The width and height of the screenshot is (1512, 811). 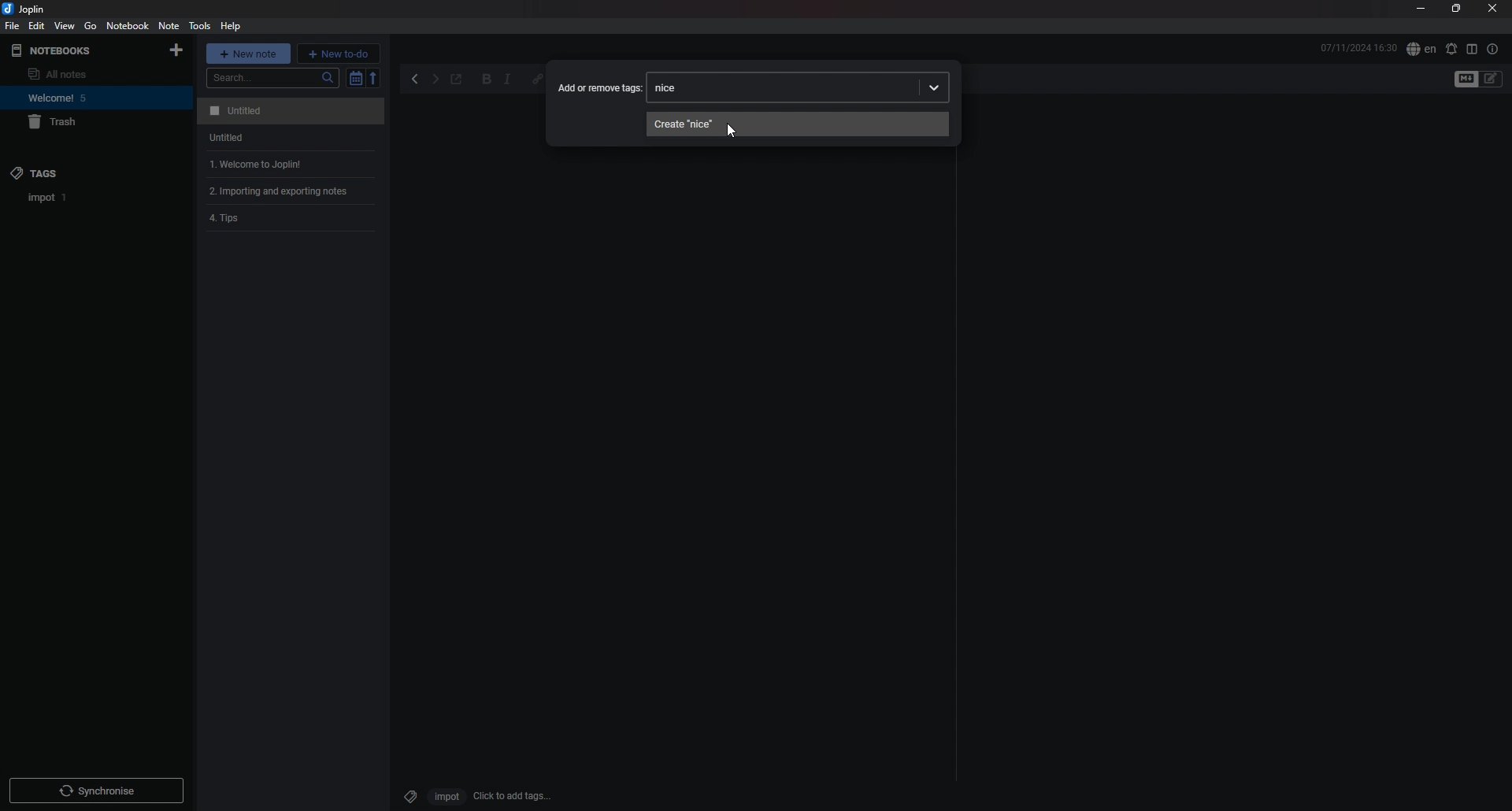 What do you see at coordinates (435, 81) in the screenshot?
I see `forward` at bounding box center [435, 81].